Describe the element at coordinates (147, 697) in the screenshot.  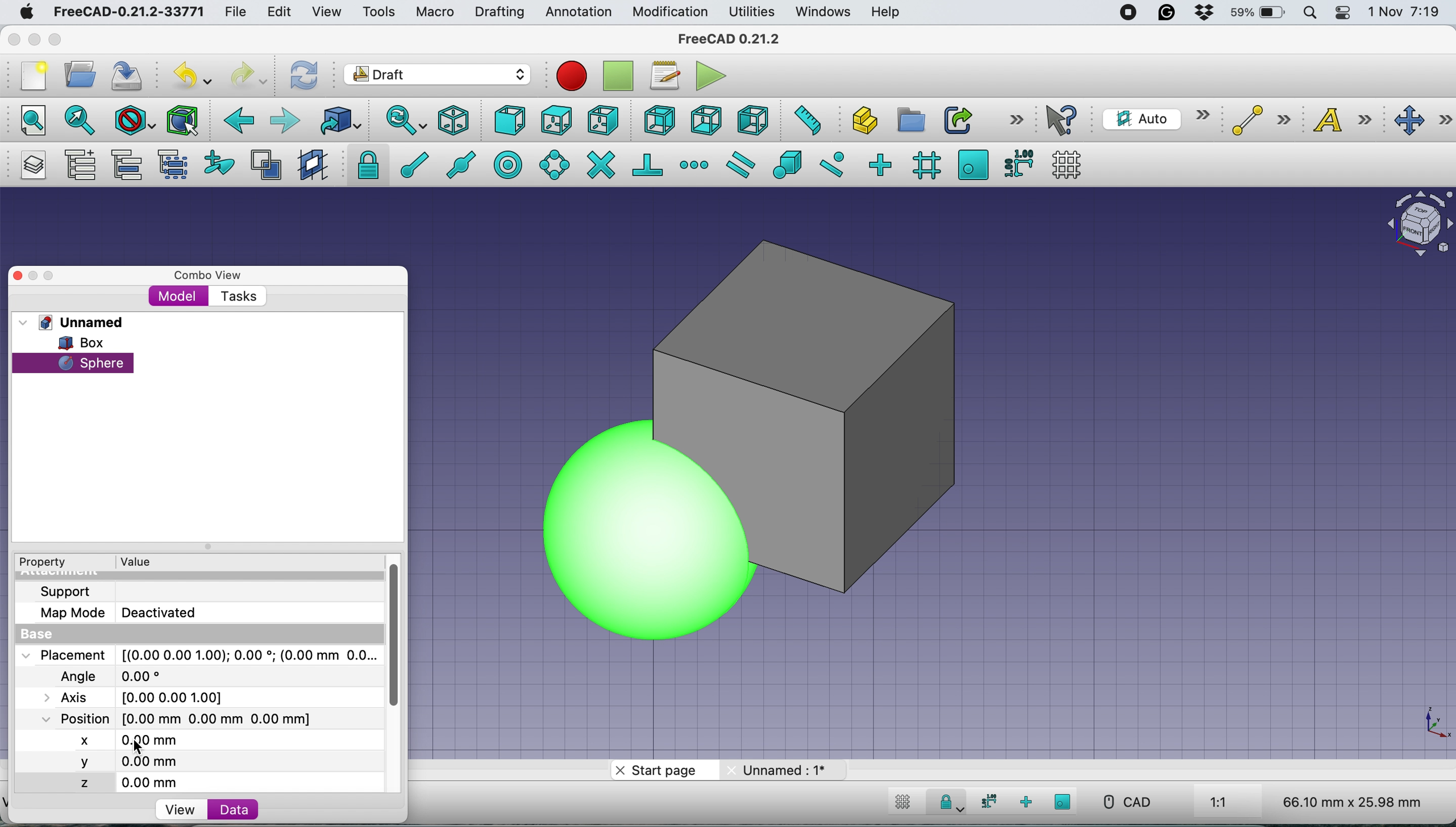
I see `axis` at that location.